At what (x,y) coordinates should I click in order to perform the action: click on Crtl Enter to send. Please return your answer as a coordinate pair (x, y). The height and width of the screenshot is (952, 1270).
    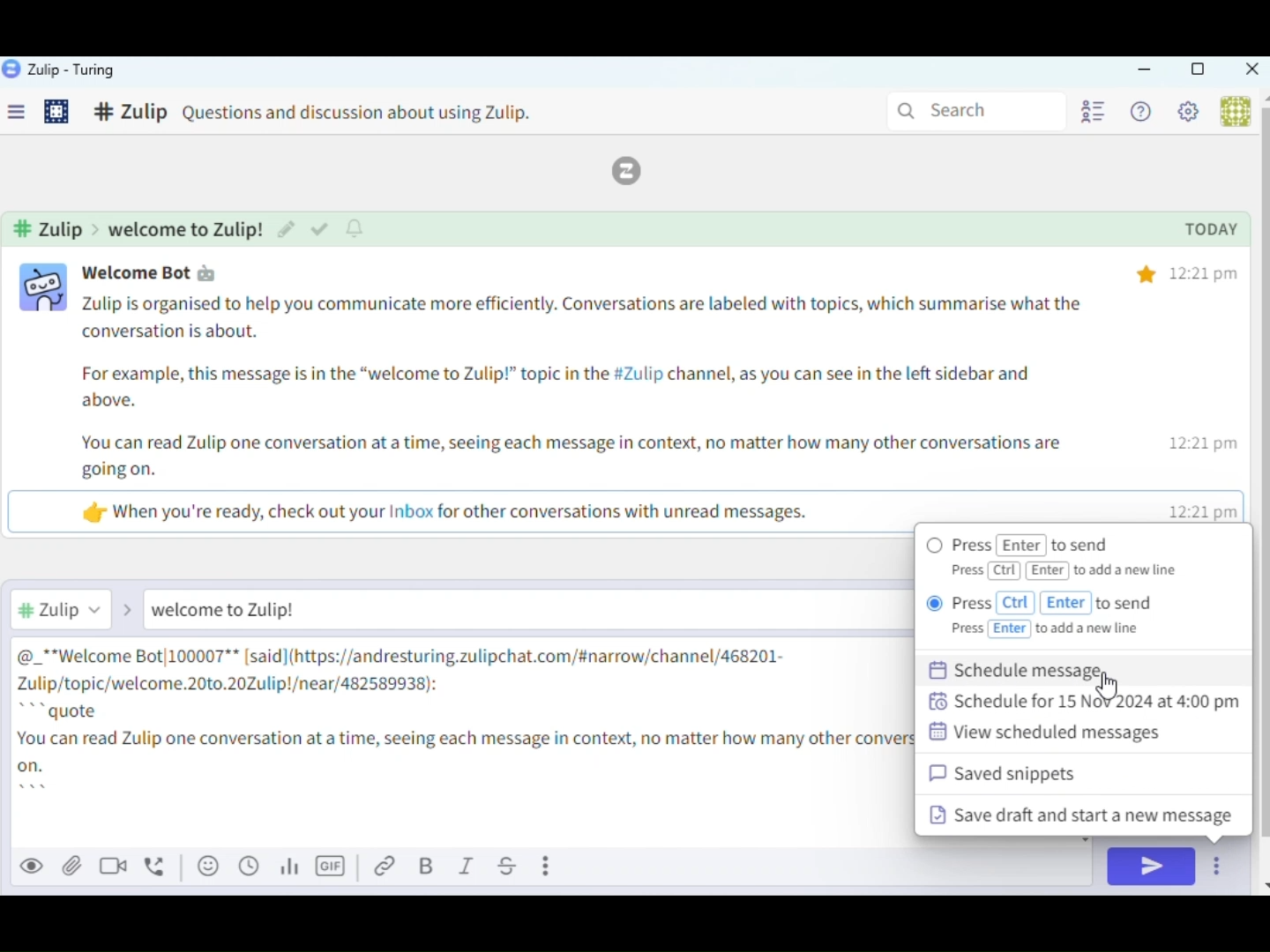
    Looking at the image, I should click on (1079, 618).